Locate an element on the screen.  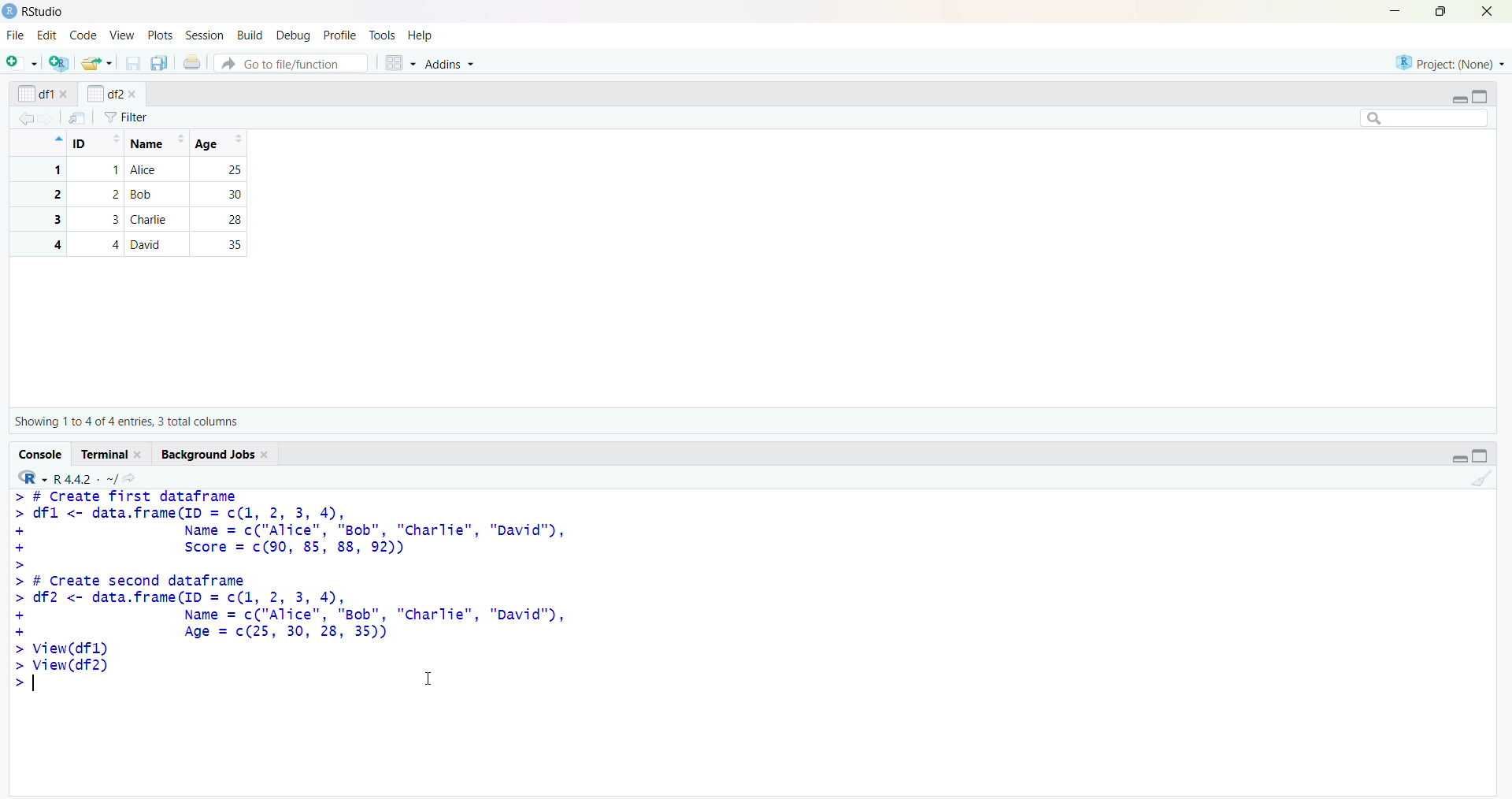
copy is located at coordinates (159, 63).